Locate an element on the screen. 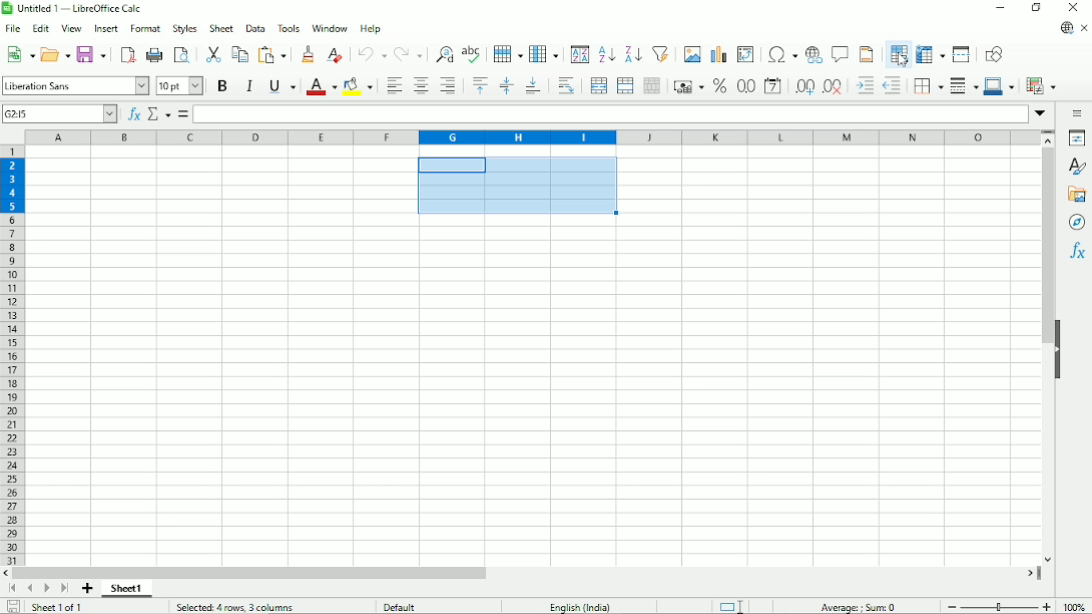 This screenshot has width=1092, height=614. Scroll to first page is located at coordinates (12, 588).